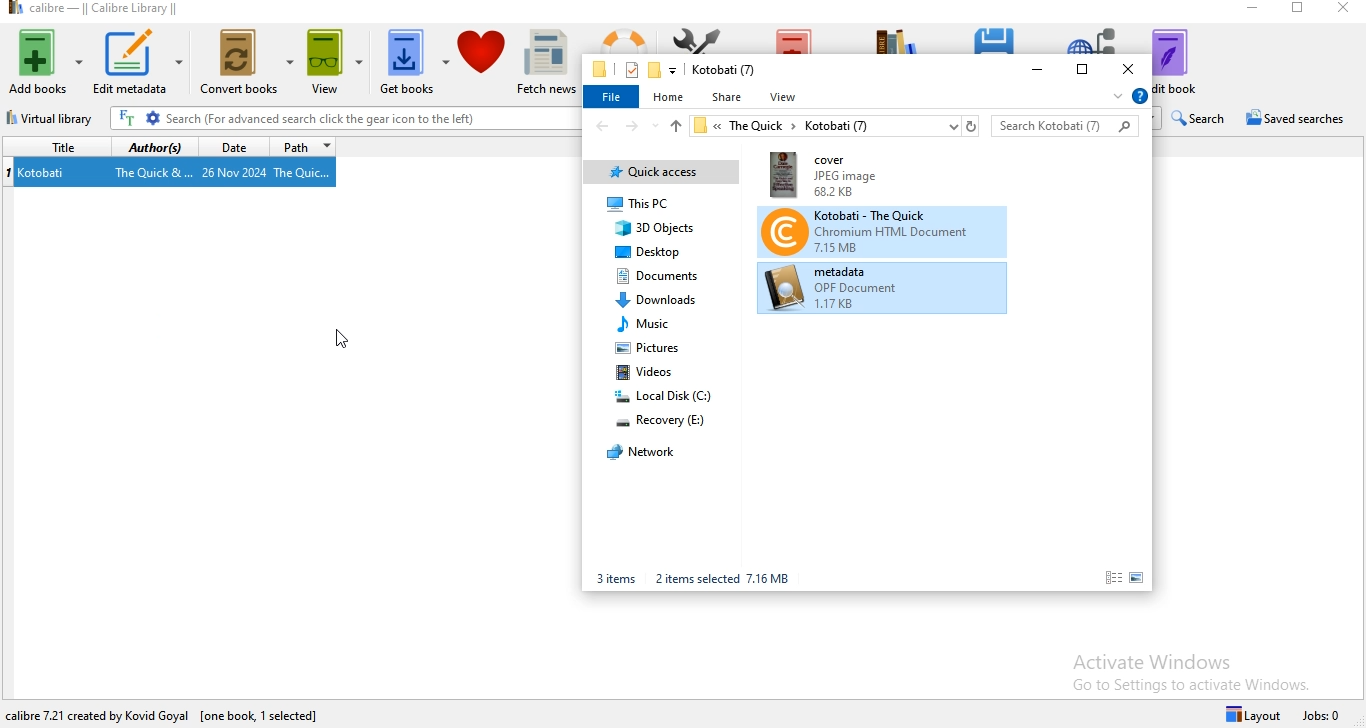 This screenshot has height=728, width=1366. I want to click on Activate Windows
Go to Settings to activate Windows., so click(1192, 669).